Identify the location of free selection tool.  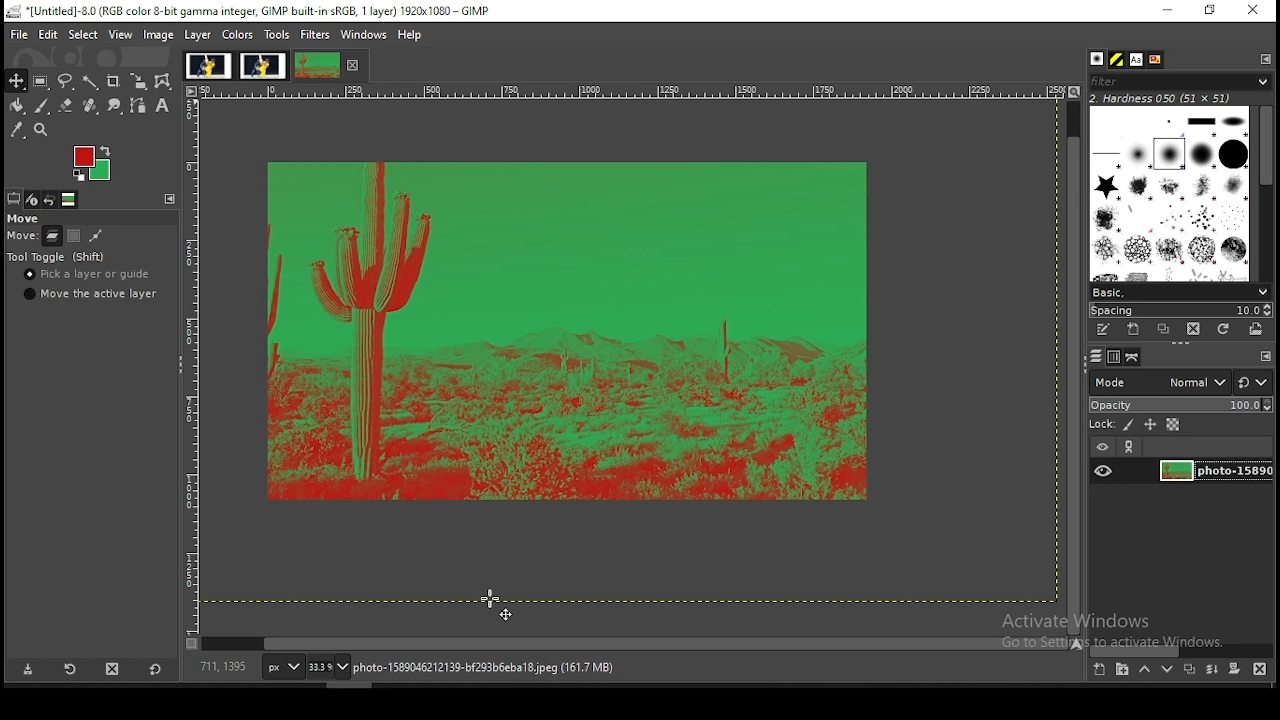
(65, 81).